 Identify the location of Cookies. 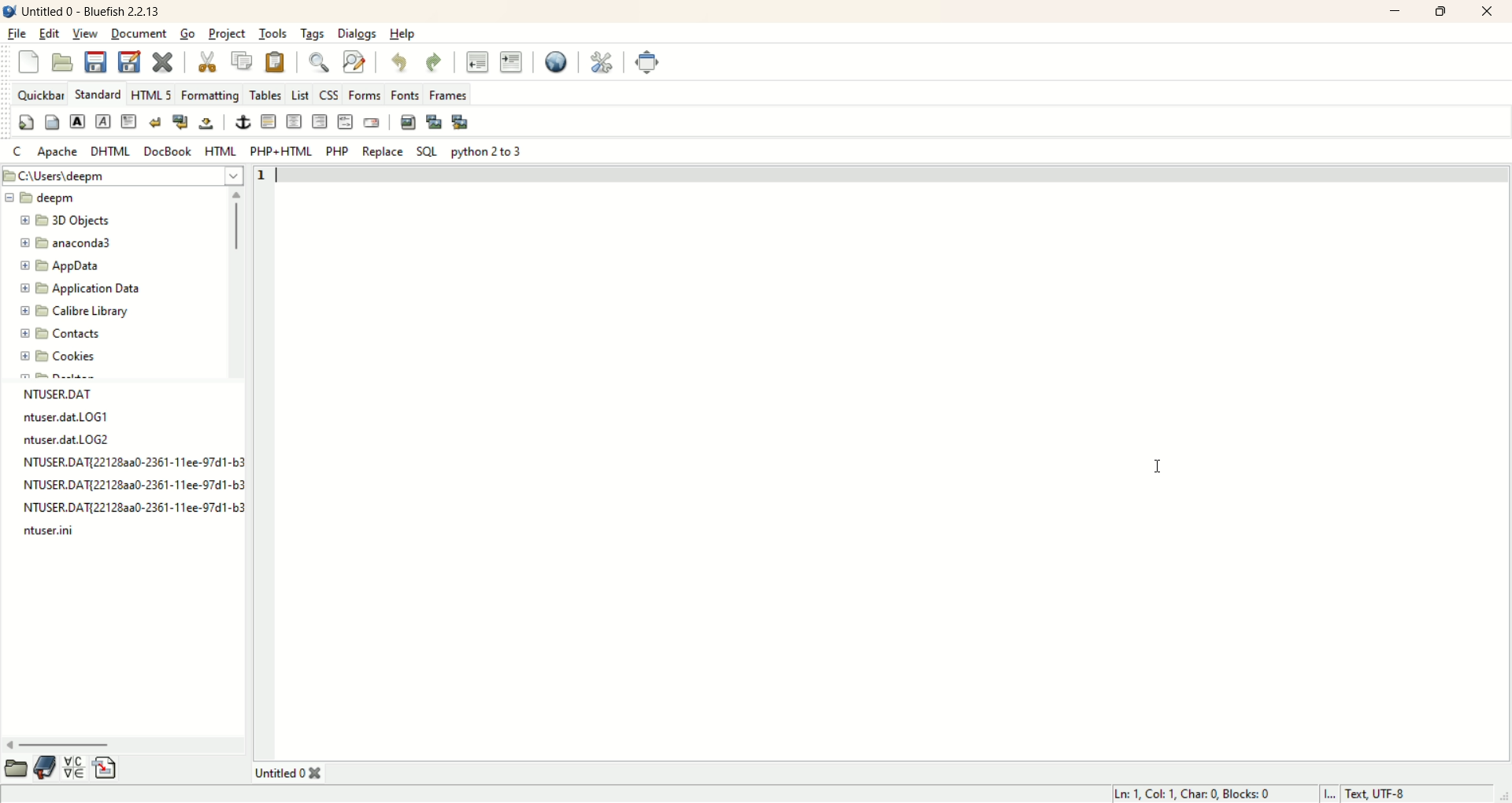
(94, 356).